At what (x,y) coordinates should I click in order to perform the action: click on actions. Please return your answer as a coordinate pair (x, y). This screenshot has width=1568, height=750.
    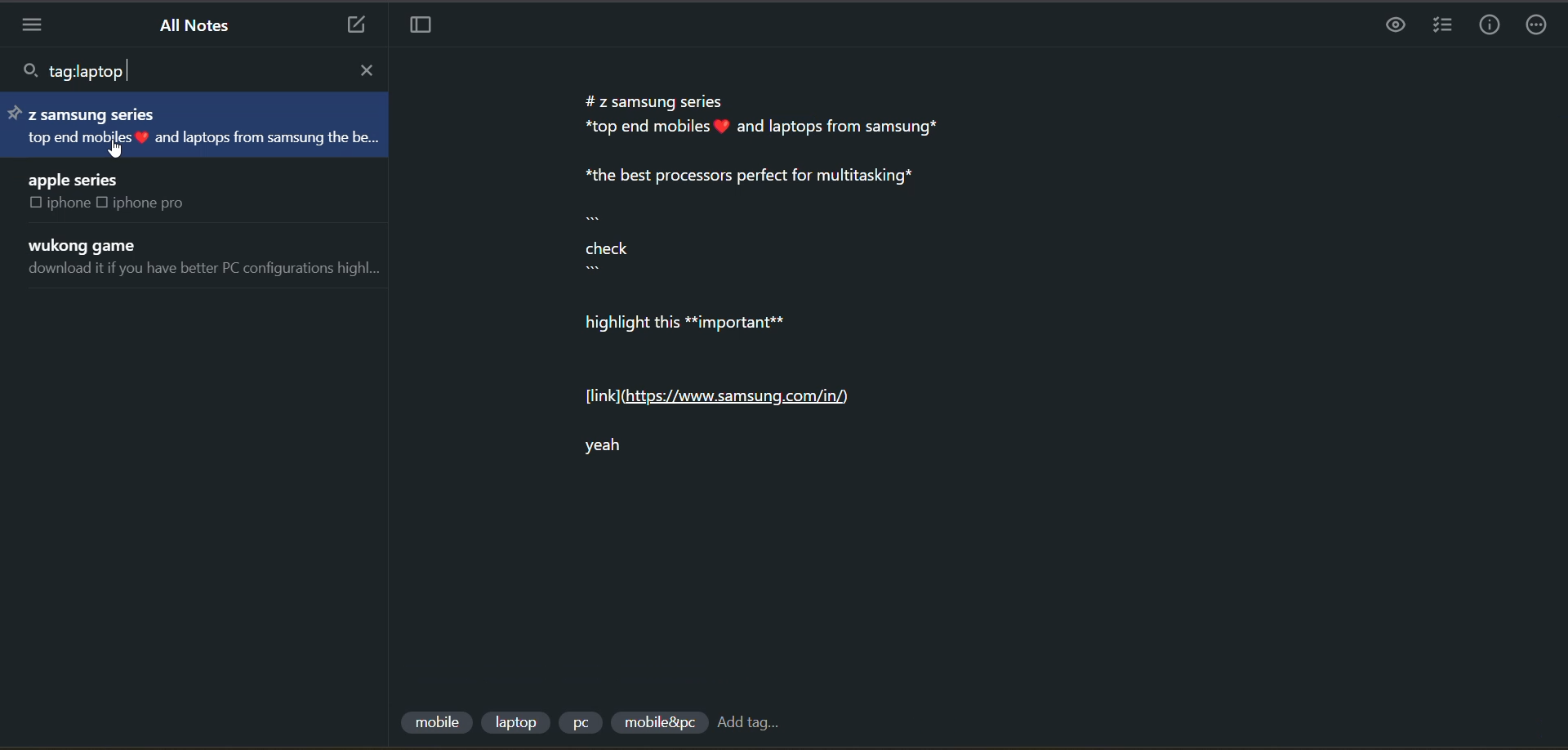
    Looking at the image, I should click on (1539, 25).